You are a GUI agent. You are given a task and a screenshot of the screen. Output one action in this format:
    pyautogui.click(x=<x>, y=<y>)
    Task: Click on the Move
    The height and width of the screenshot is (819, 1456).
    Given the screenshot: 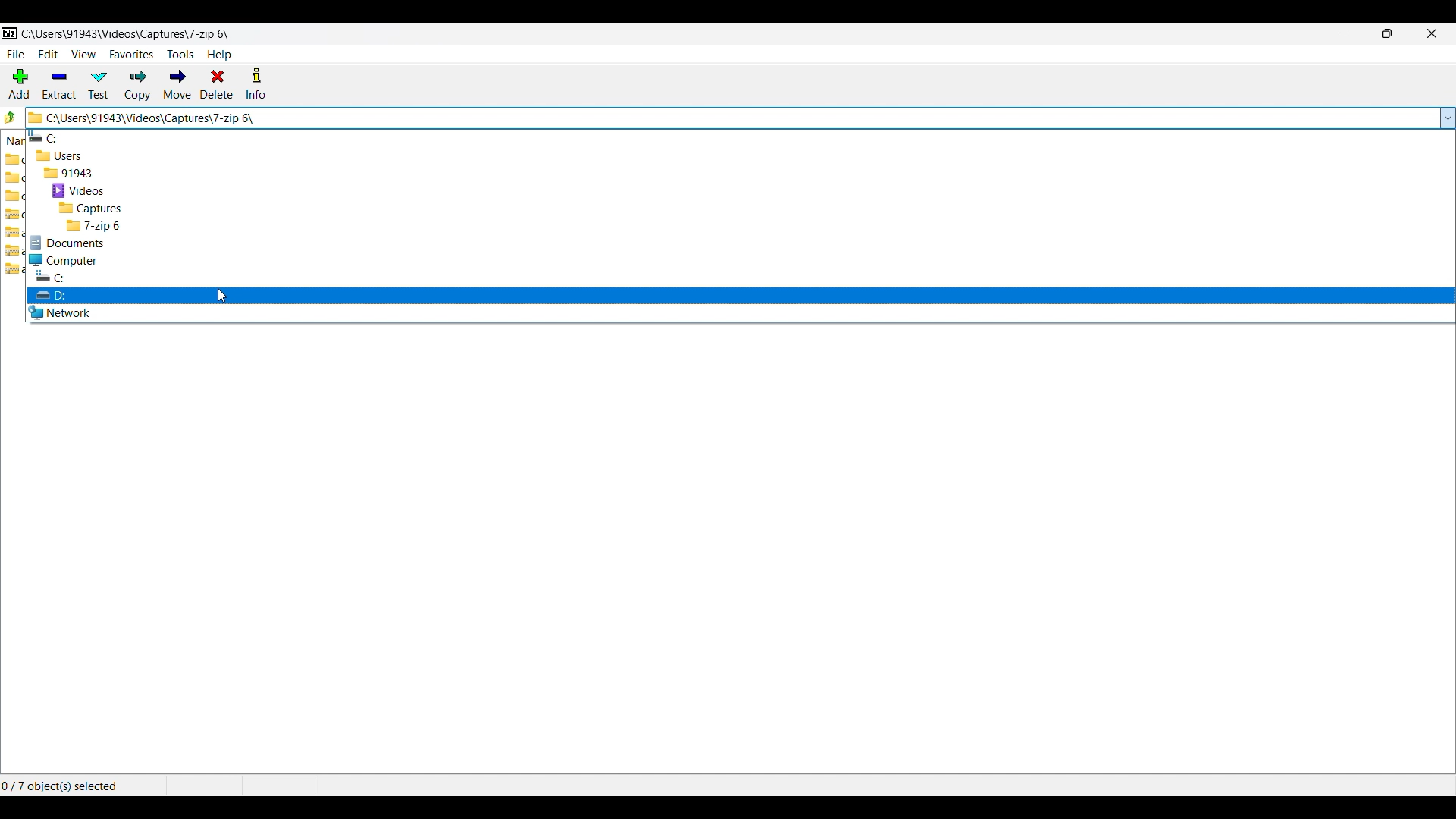 What is the action you would take?
    pyautogui.click(x=177, y=85)
    